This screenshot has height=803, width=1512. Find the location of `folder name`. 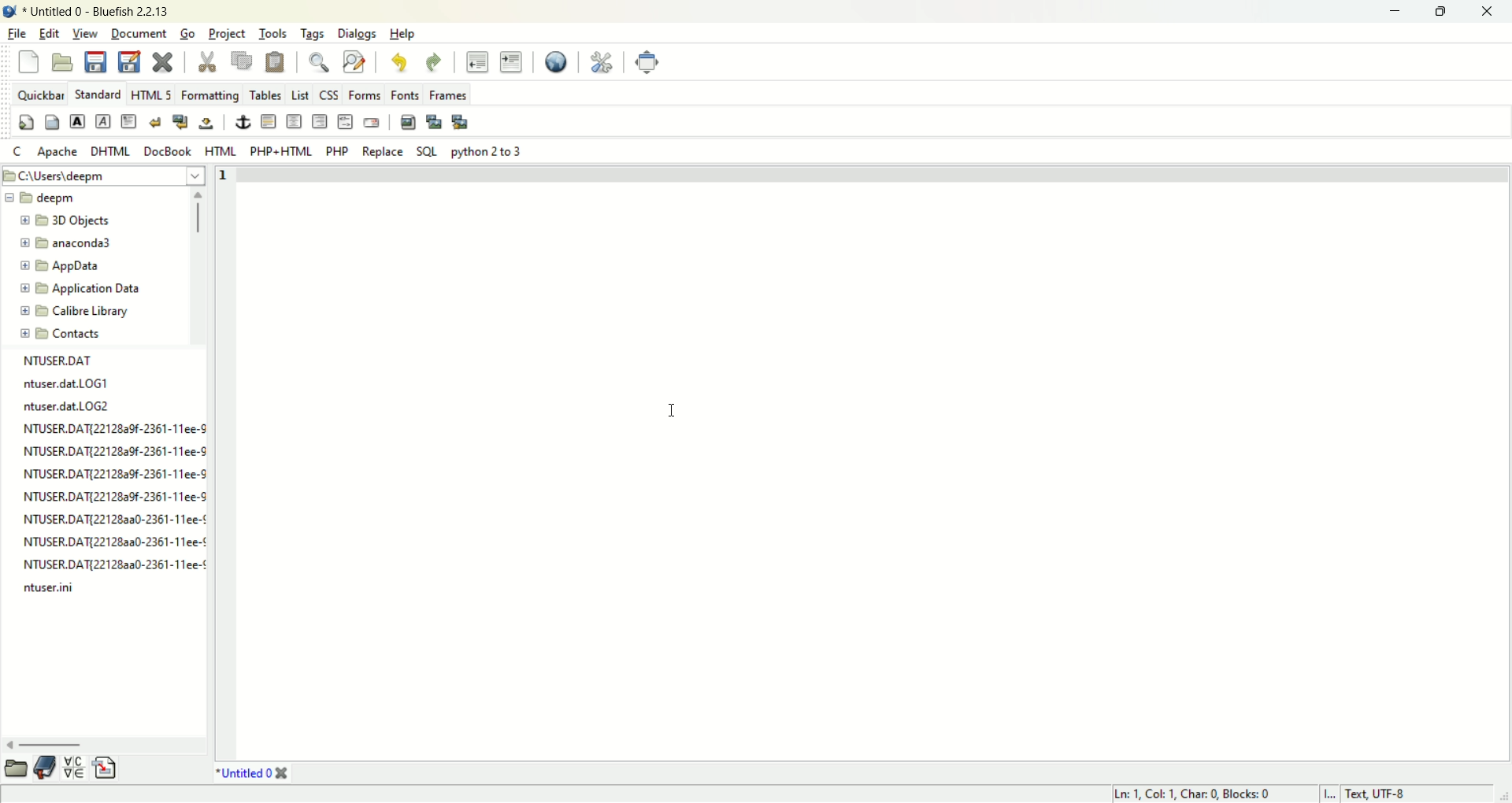

folder name is located at coordinates (81, 287).